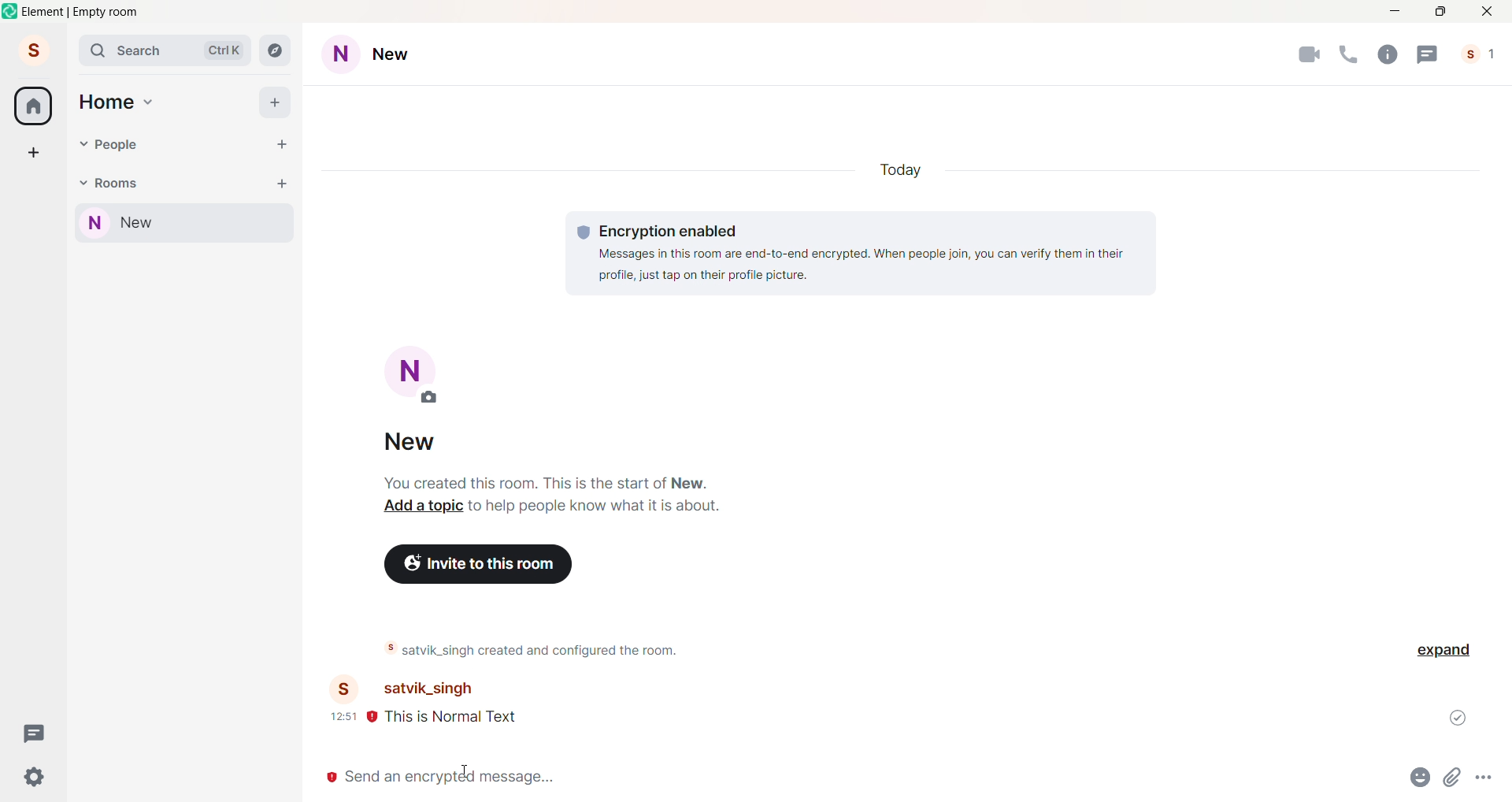 This screenshot has width=1512, height=802. What do you see at coordinates (81, 12) in the screenshot?
I see `element | empty room` at bounding box center [81, 12].